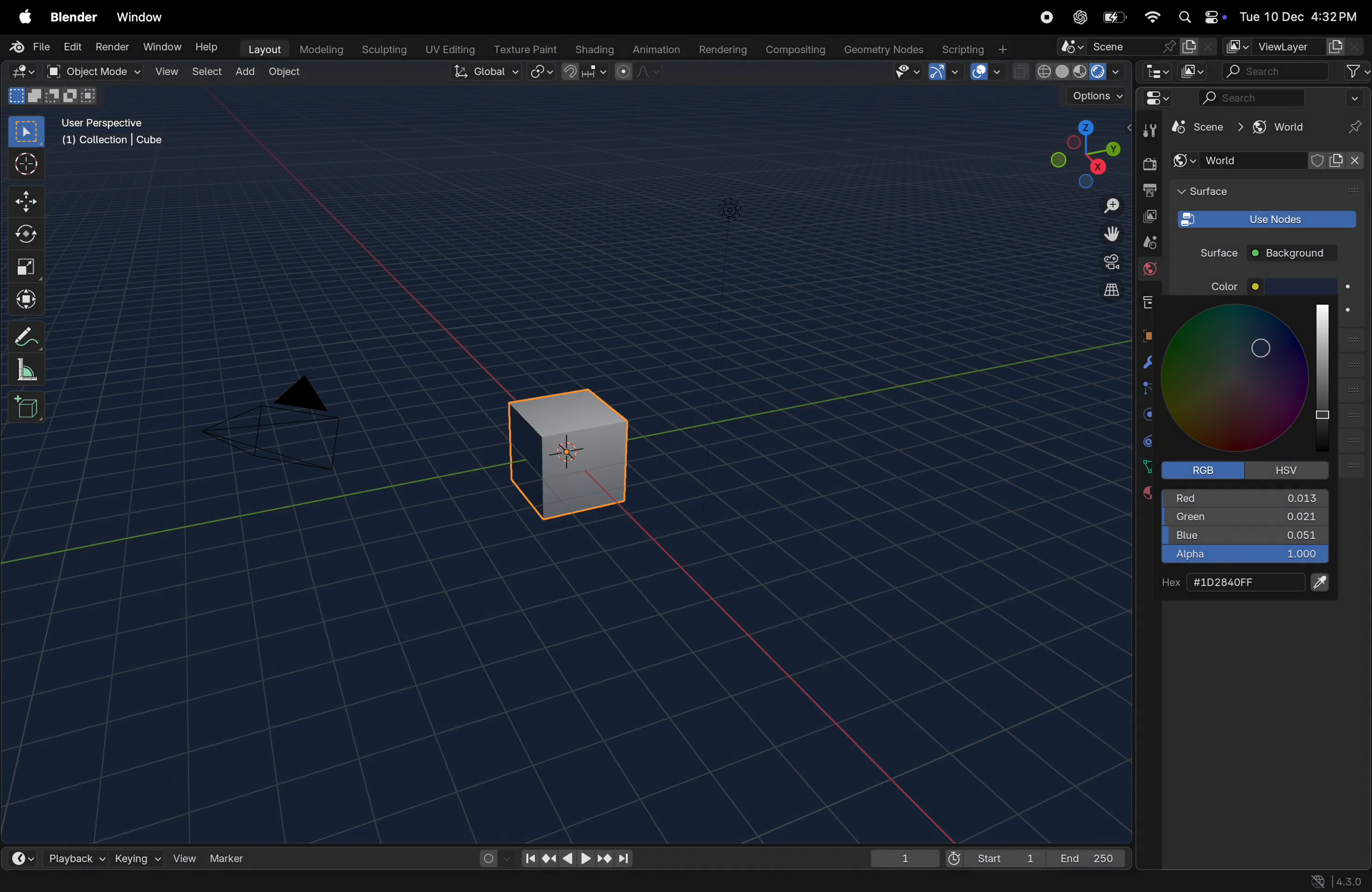 Image resolution: width=1372 pixels, height=892 pixels. Describe the element at coordinates (1269, 161) in the screenshot. I see `add objects and constraints` at that location.